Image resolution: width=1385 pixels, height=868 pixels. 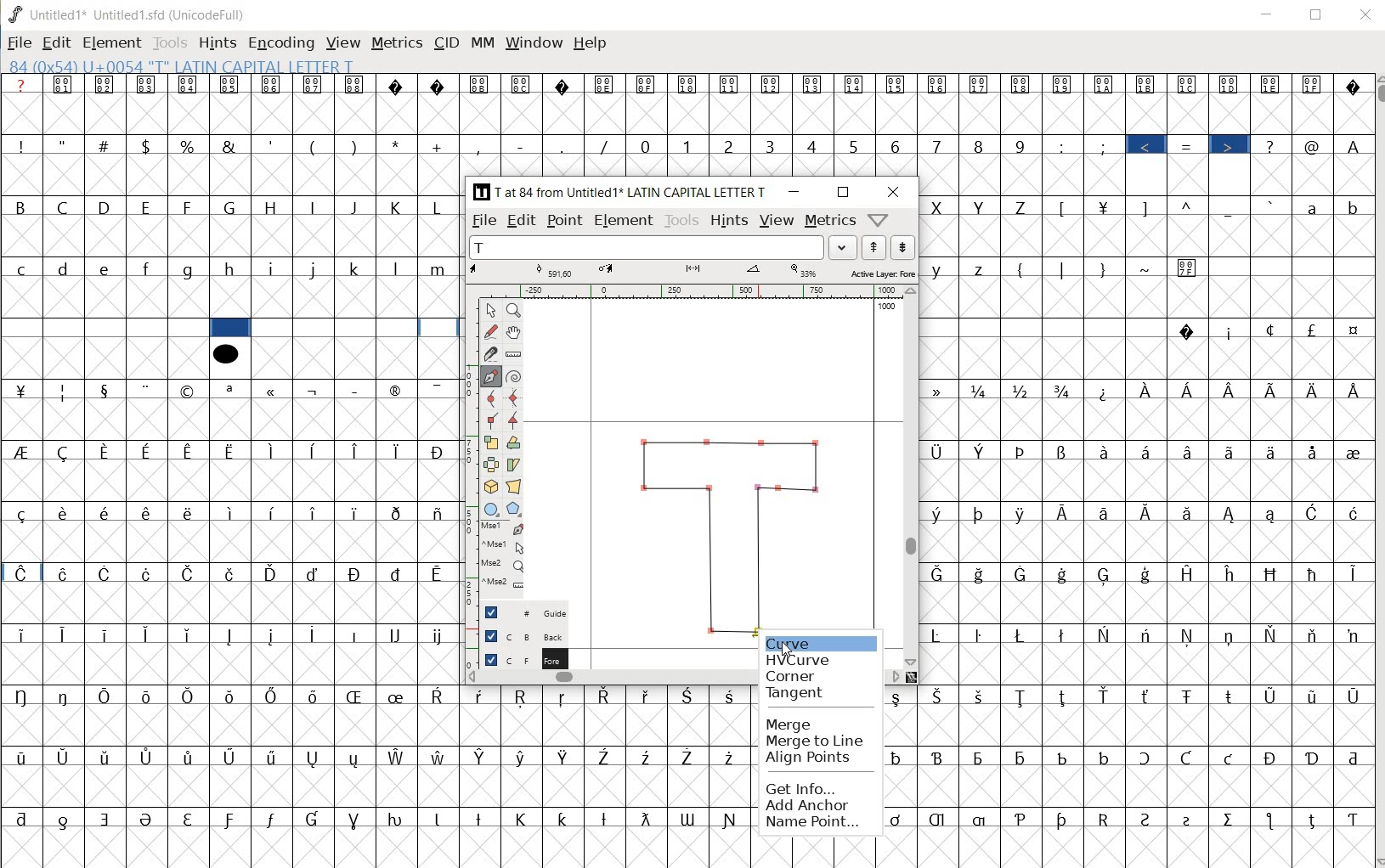 What do you see at coordinates (150, 757) in the screenshot?
I see `Symbol` at bounding box center [150, 757].